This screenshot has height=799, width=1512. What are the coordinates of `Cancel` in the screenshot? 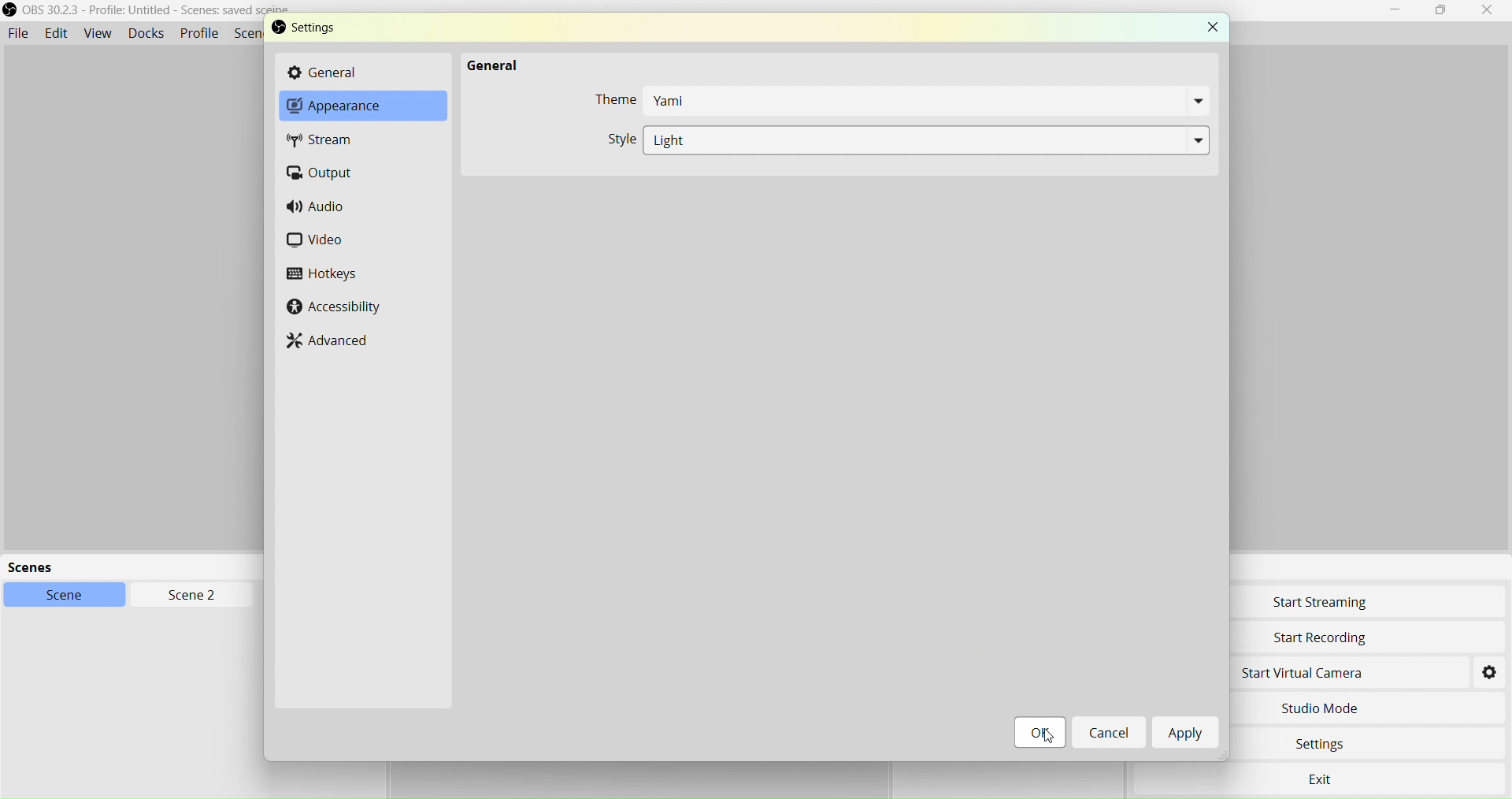 It's located at (1108, 733).